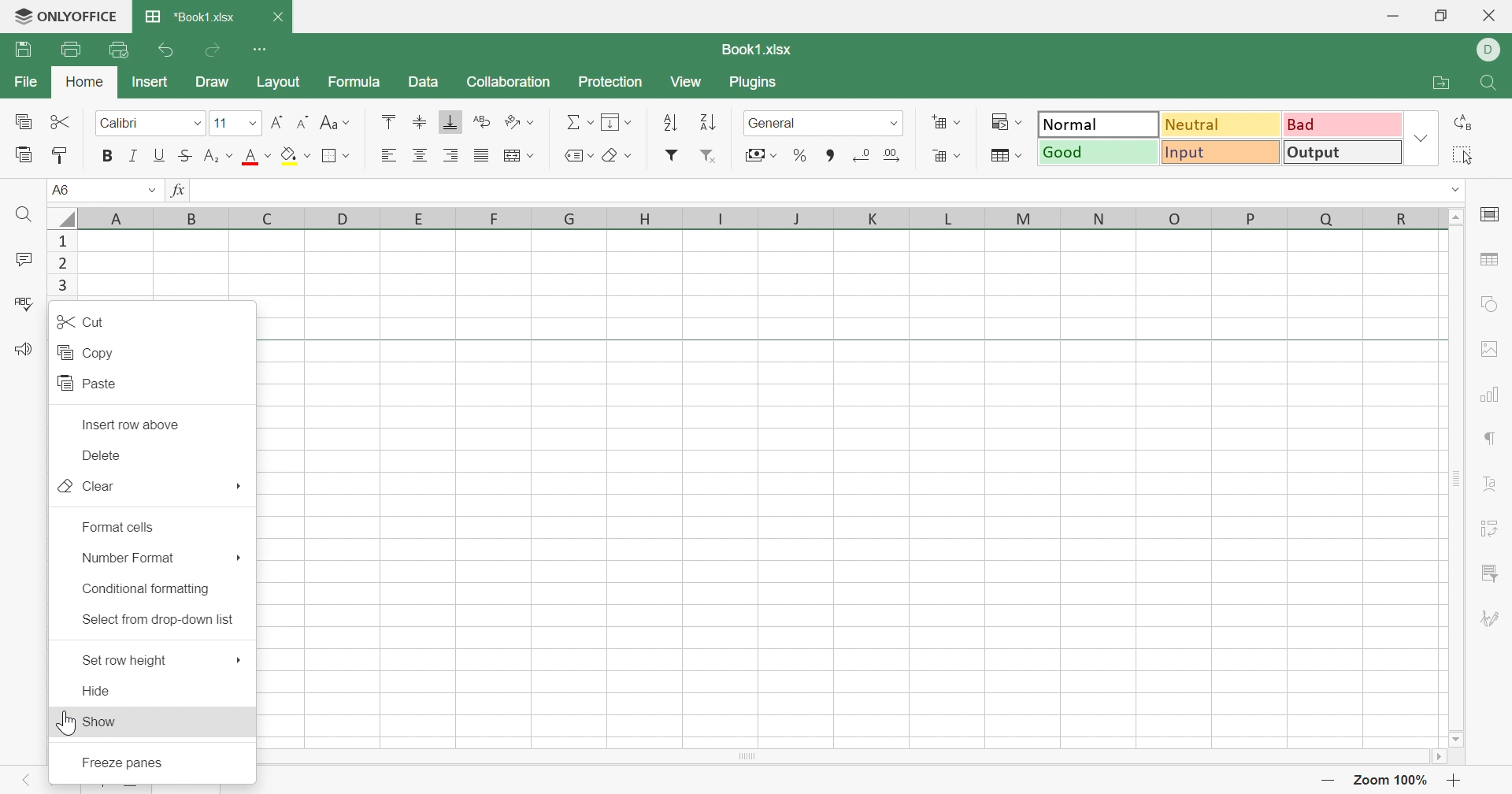 This screenshot has height=794, width=1512. What do you see at coordinates (131, 764) in the screenshot?
I see `Freeze Panes` at bounding box center [131, 764].